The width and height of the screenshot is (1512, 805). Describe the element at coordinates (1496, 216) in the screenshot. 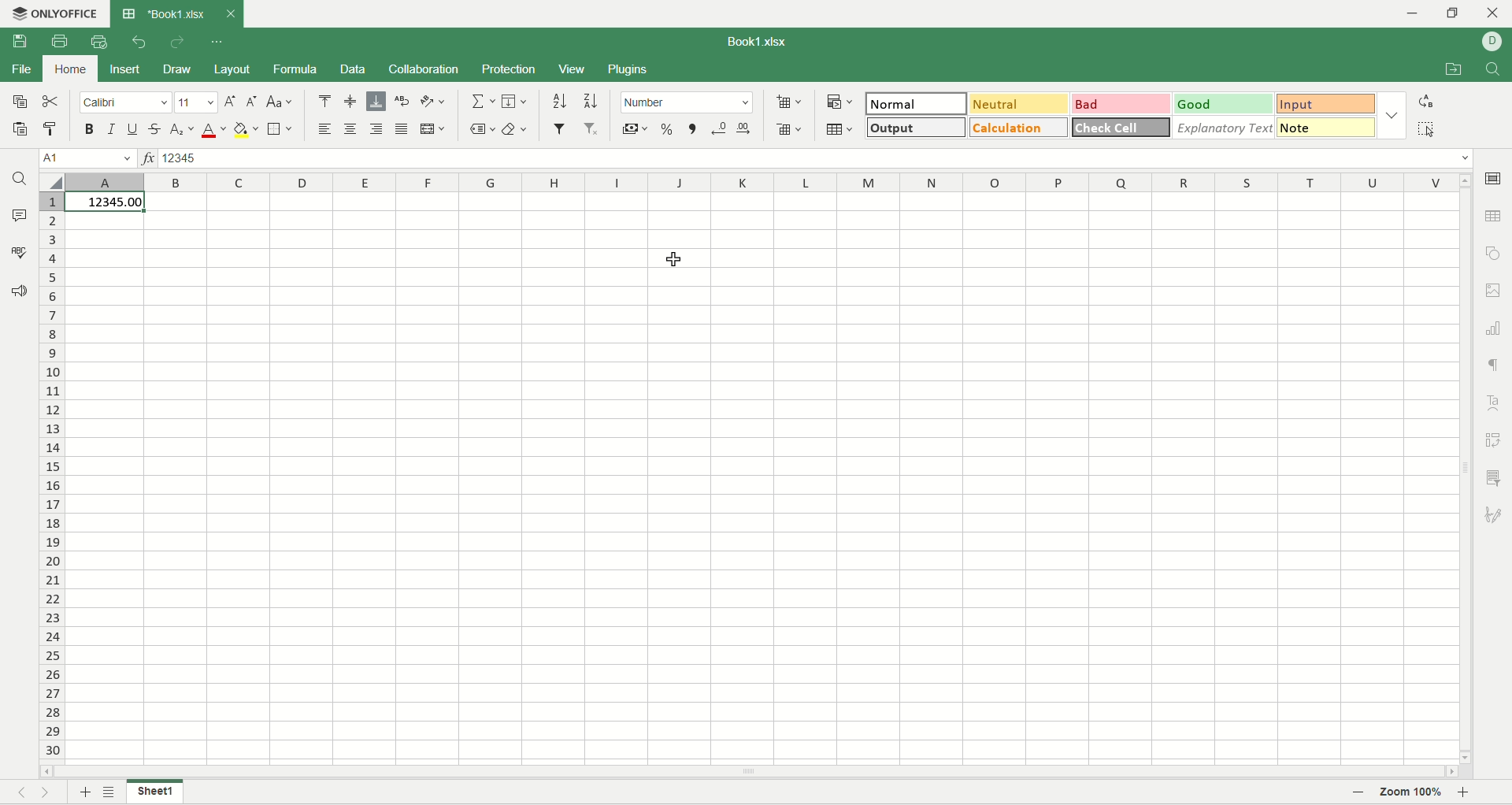

I see `table settings` at that location.